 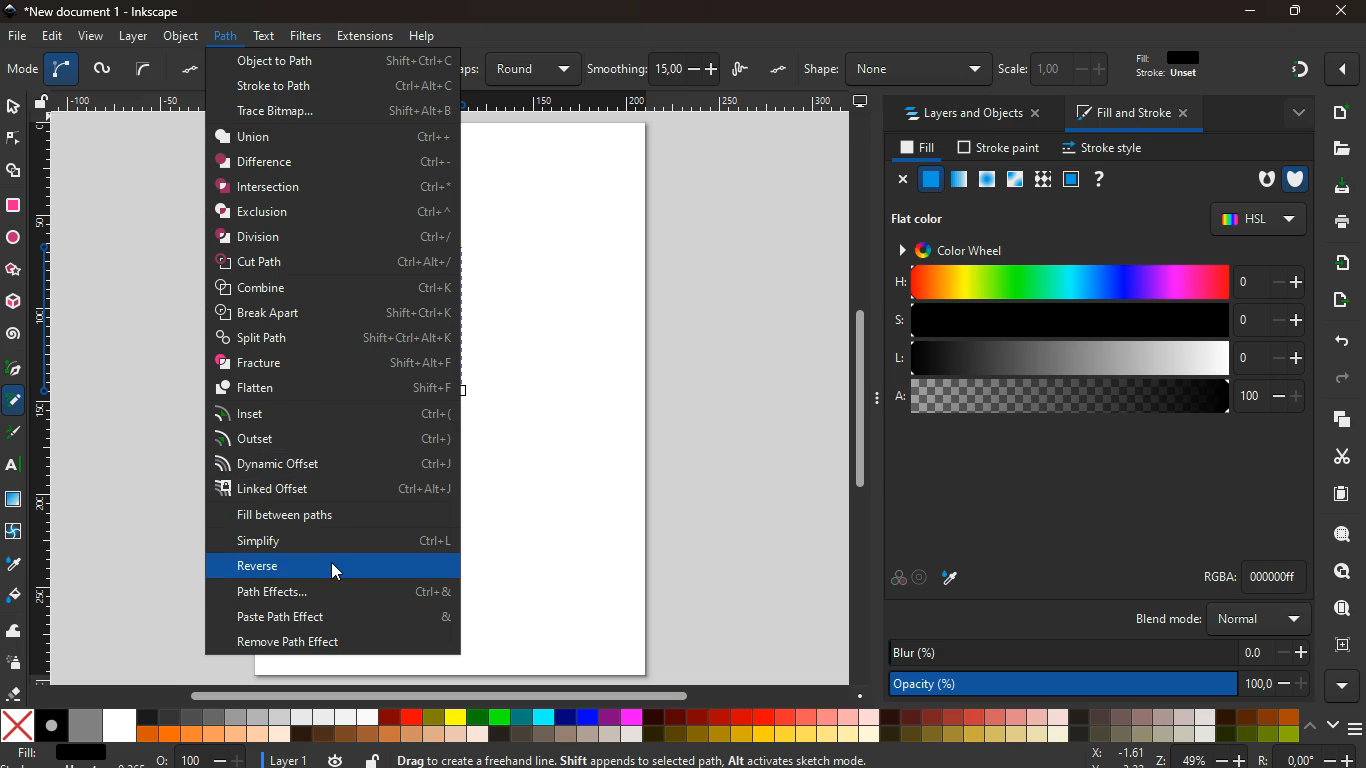 I want to click on shape, so click(x=896, y=69).